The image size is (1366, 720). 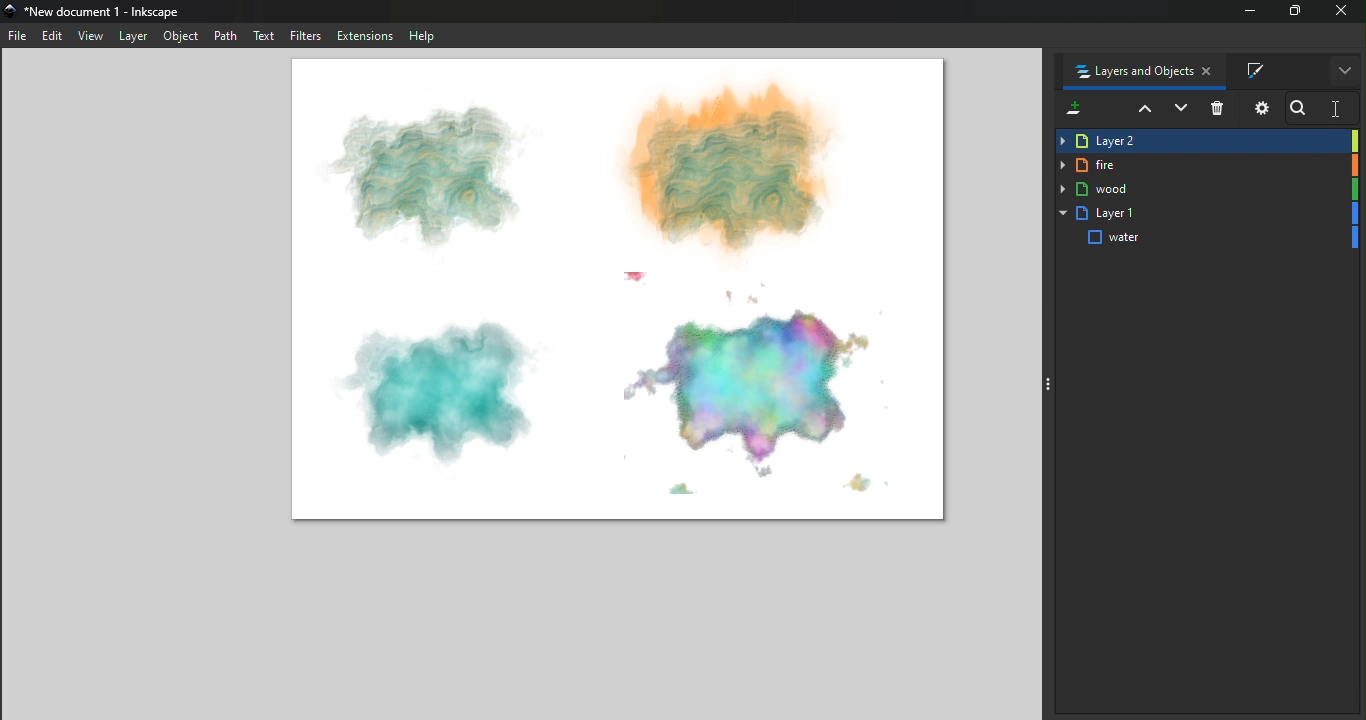 I want to click on Layer 2, so click(x=1206, y=142).